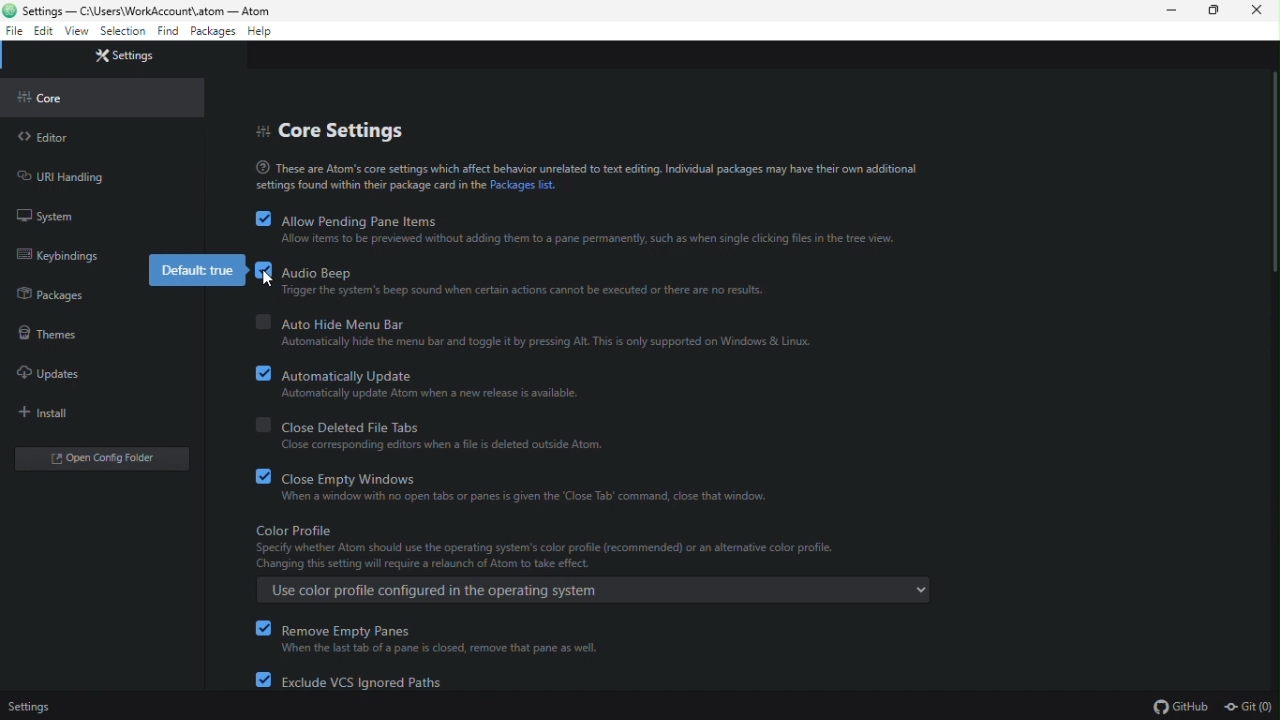  What do you see at coordinates (526, 292) in the screenshot?
I see `Trigger the system's beep sound when certain actions cannot be executed or there are no results.` at bounding box center [526, 292].